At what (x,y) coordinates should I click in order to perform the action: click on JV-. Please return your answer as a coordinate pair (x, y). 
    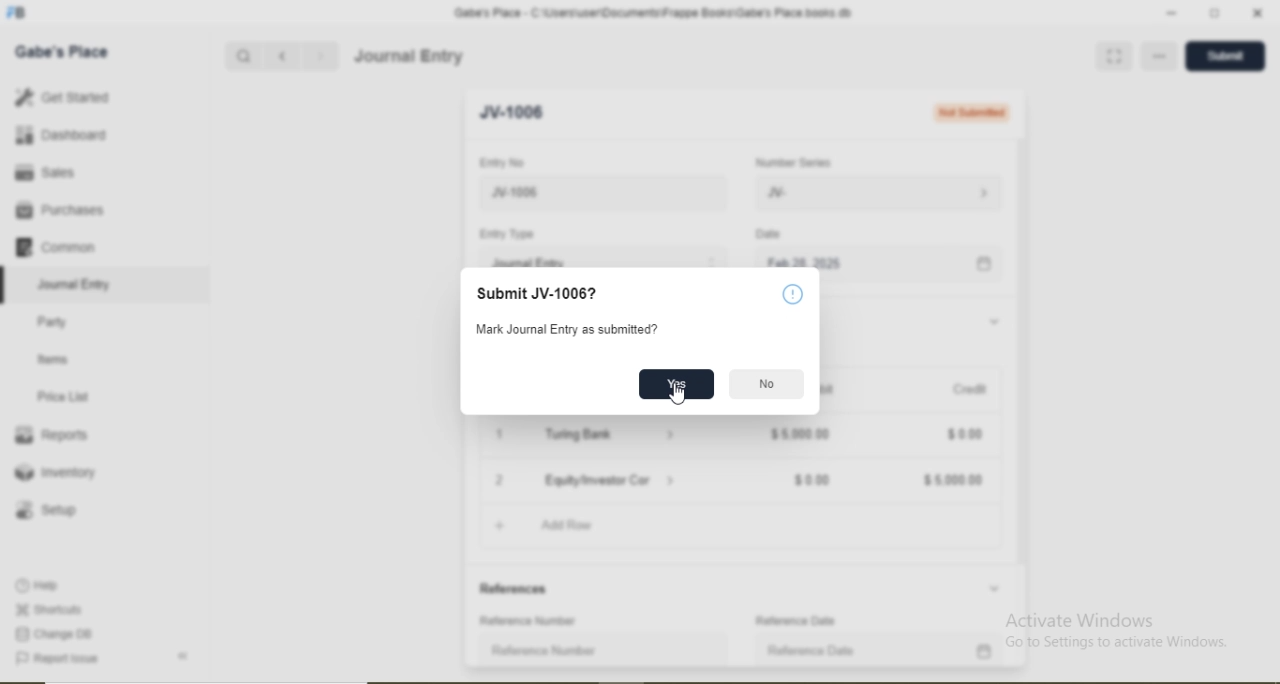
    Looking at the image, I should click on (777, 193).